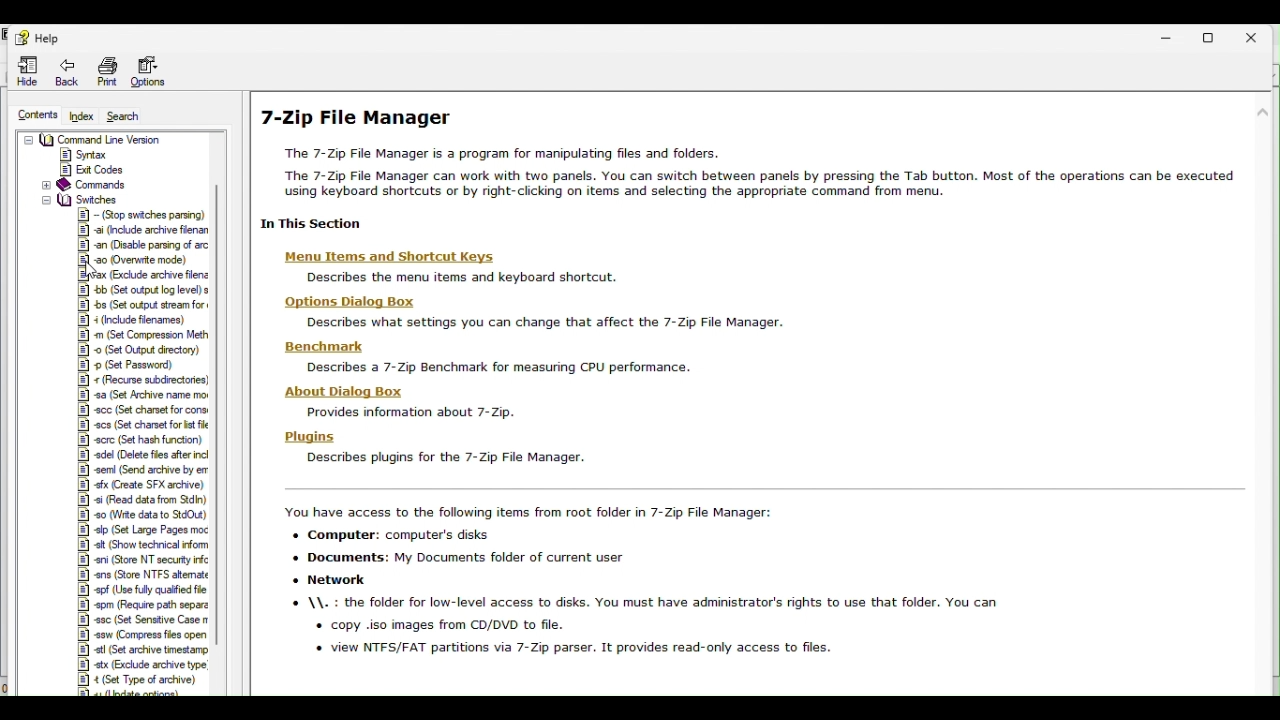  I want to click on Provides information about 7-Zip., so click(406, 413).